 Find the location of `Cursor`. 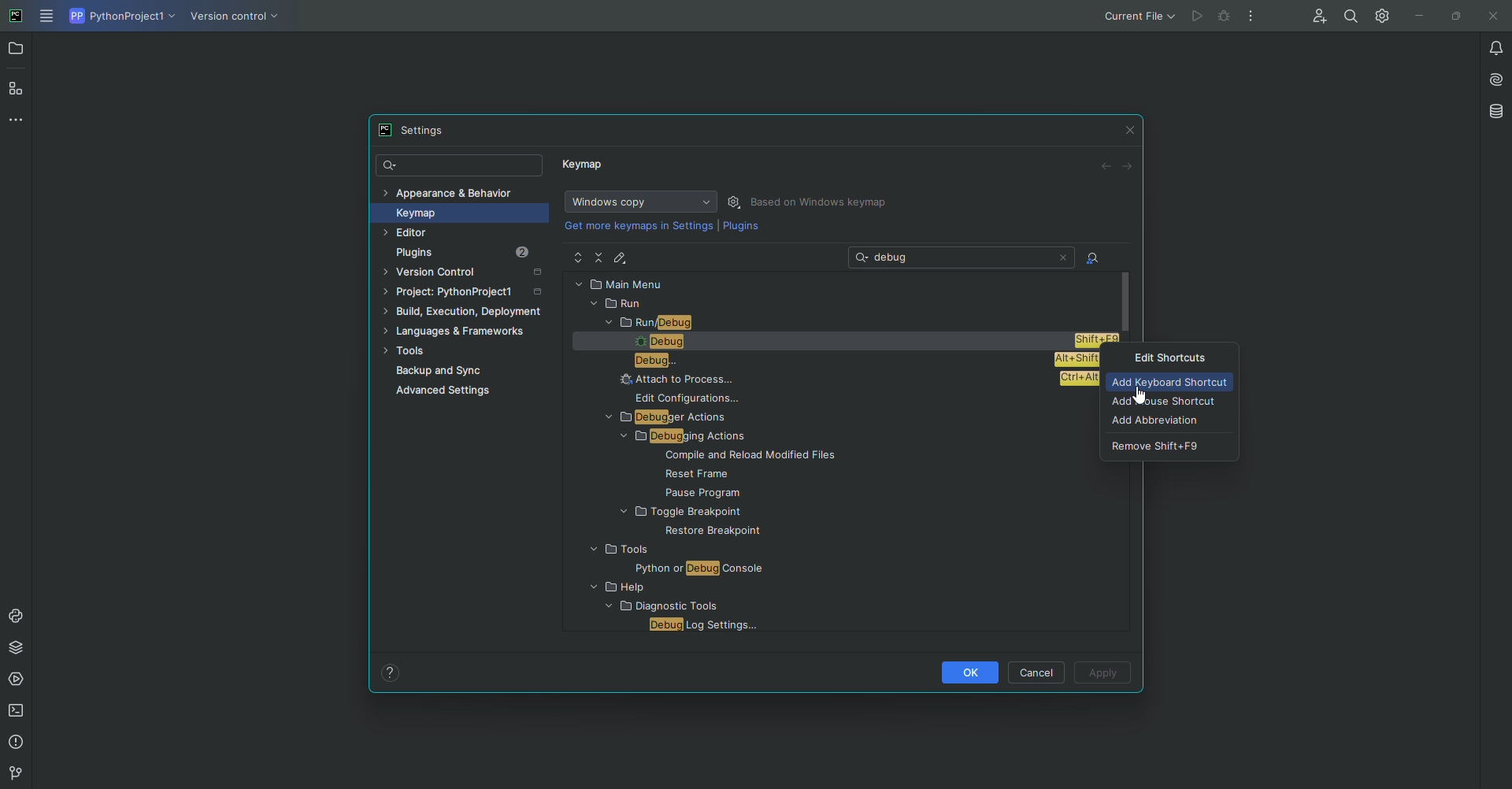

Cursor is located at coordinates (1139, 396).